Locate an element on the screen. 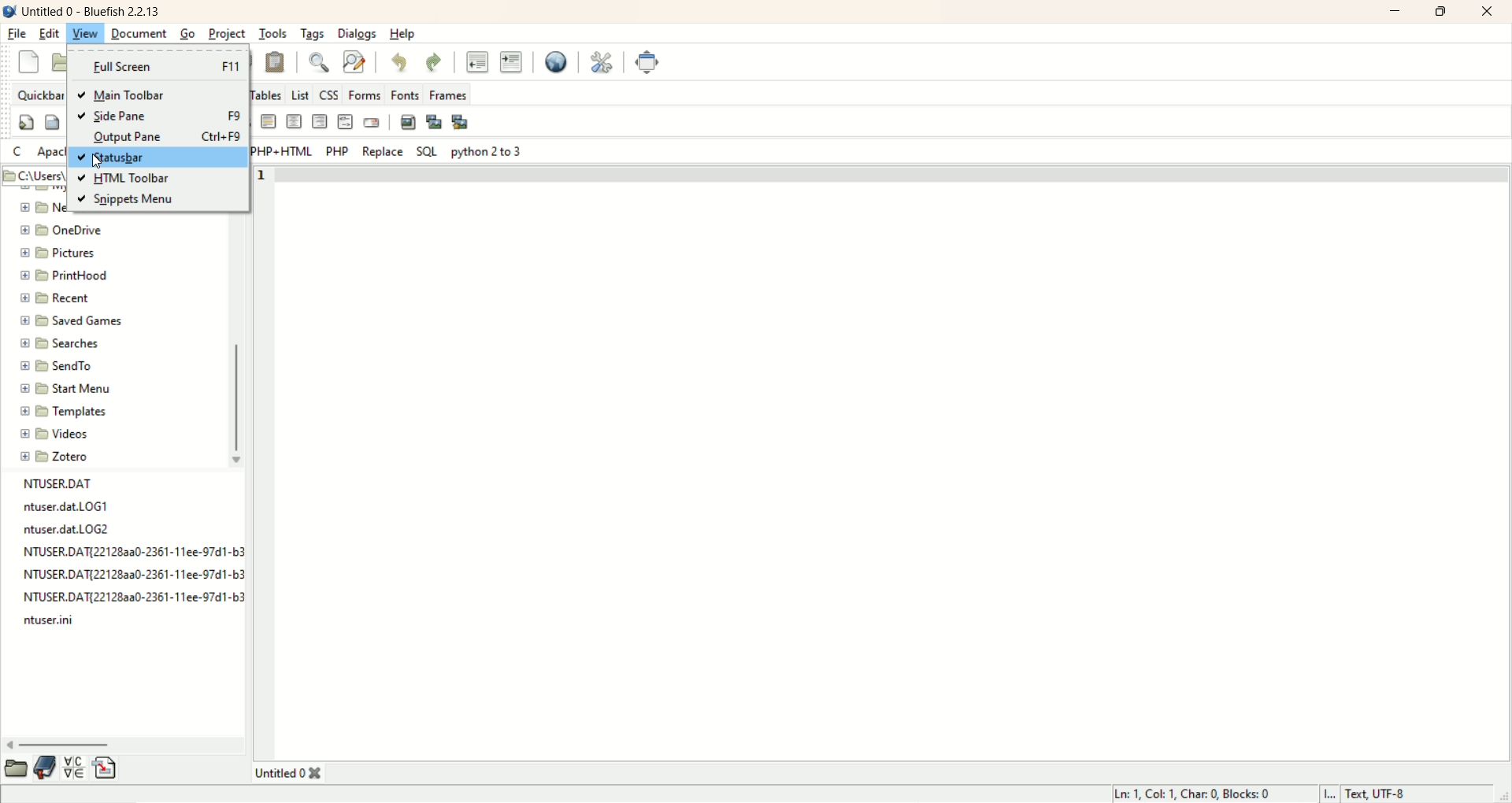  indent is located at coordinates (511, 64).